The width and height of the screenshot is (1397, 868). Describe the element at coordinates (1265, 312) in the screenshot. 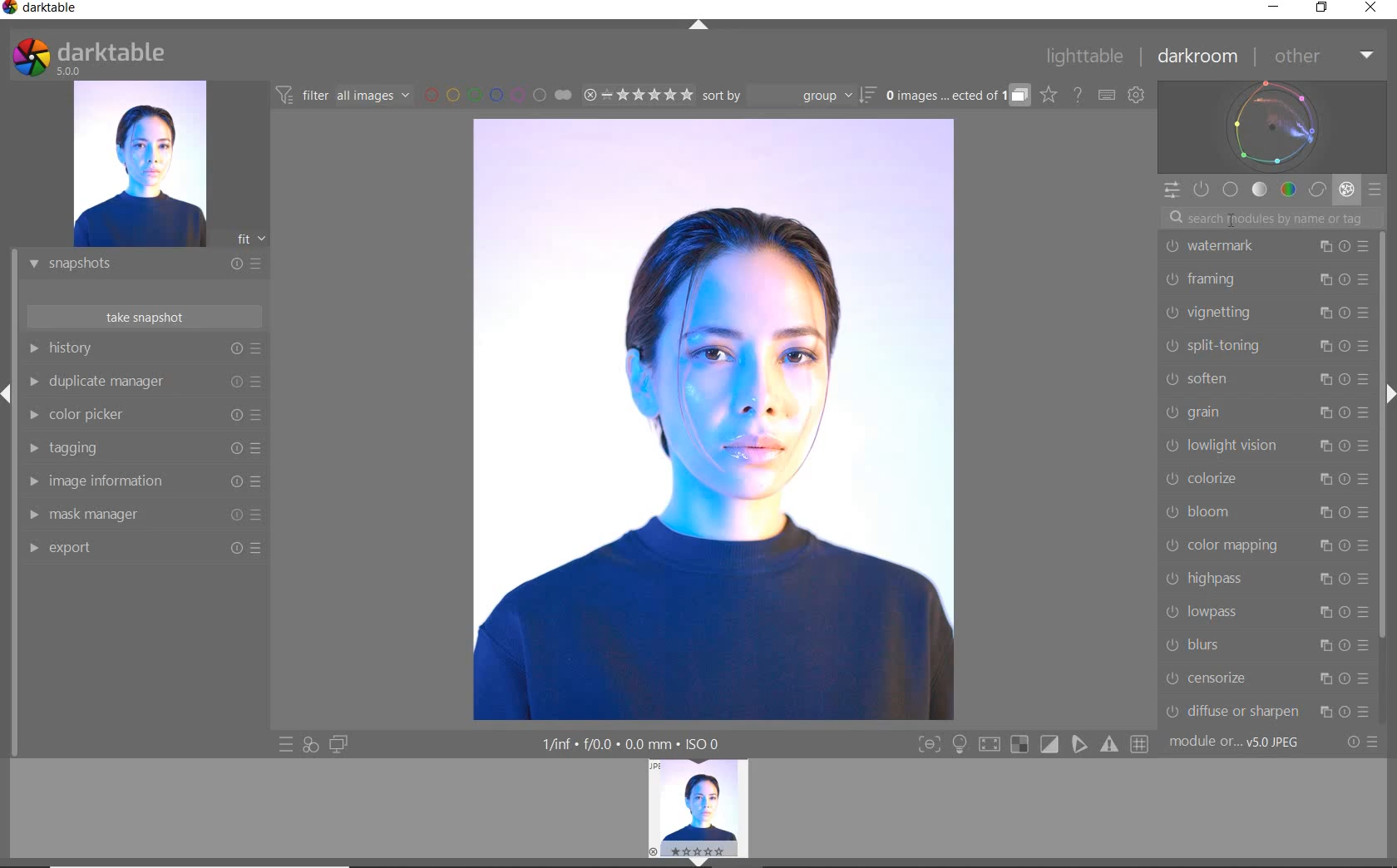

I see `VIGNETTING` at that location.